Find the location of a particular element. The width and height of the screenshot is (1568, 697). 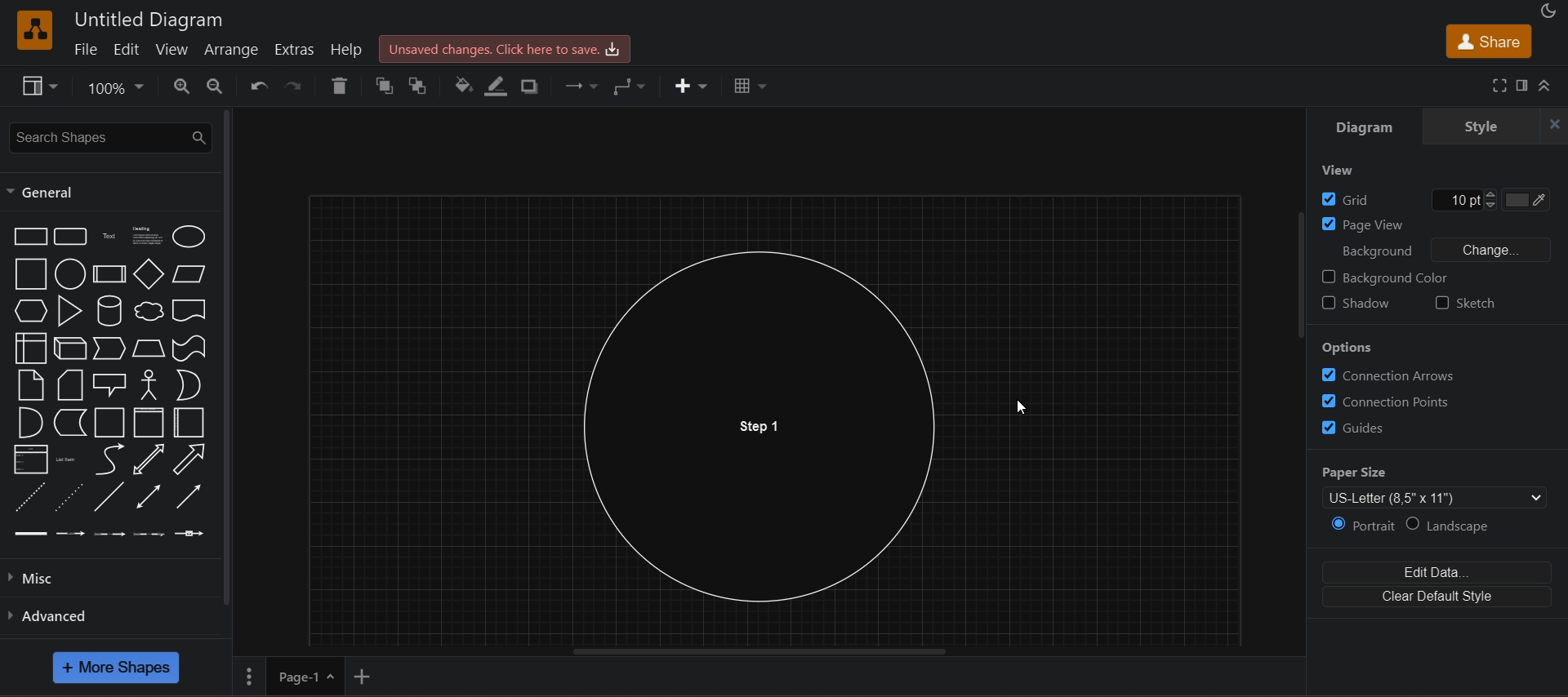

tape is located at coordinates (193, 348).